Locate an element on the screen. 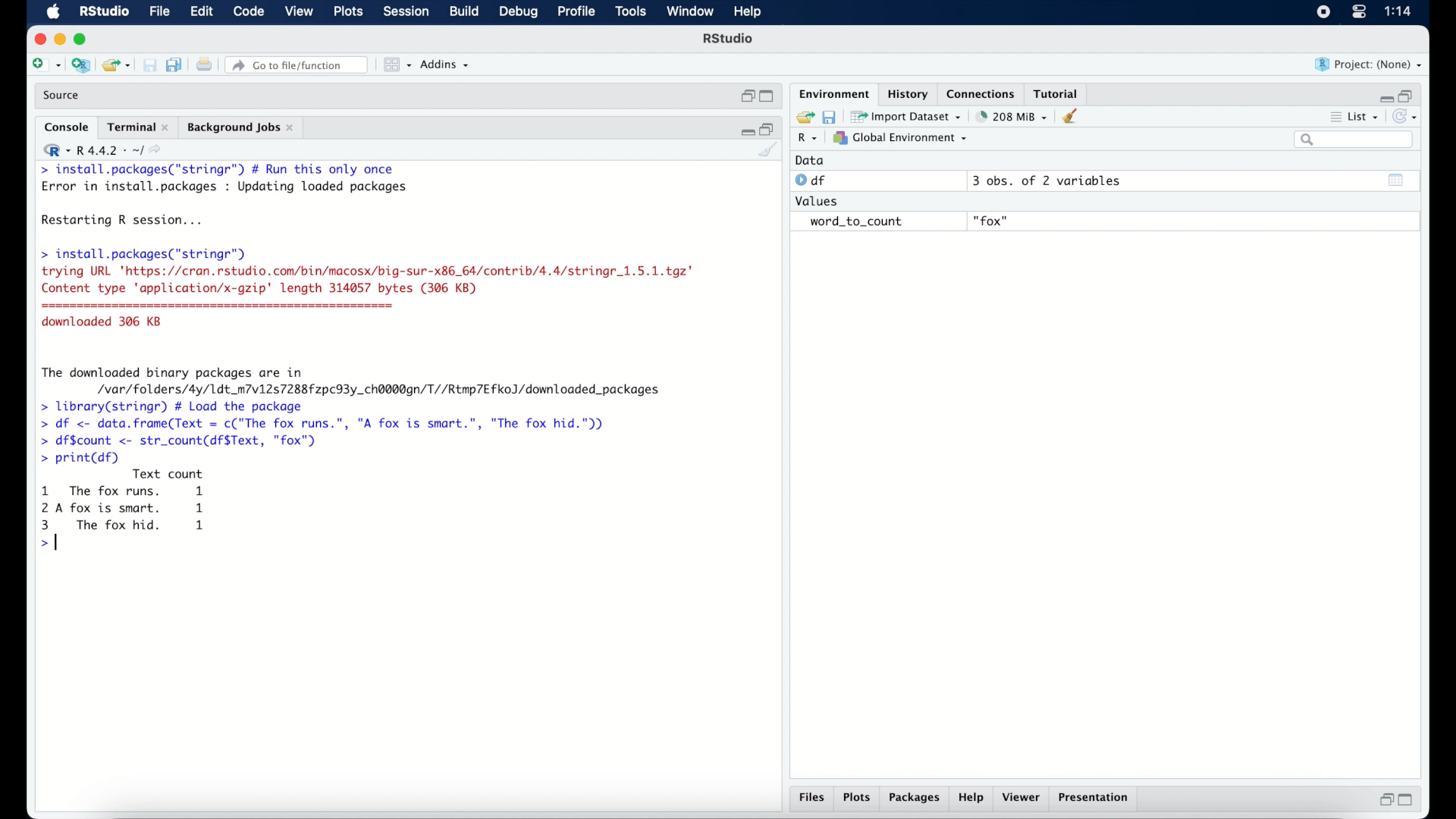 Image resolution: width=1456 pixels, height=819 pixels. maximize is located at coordinates (769, 97).